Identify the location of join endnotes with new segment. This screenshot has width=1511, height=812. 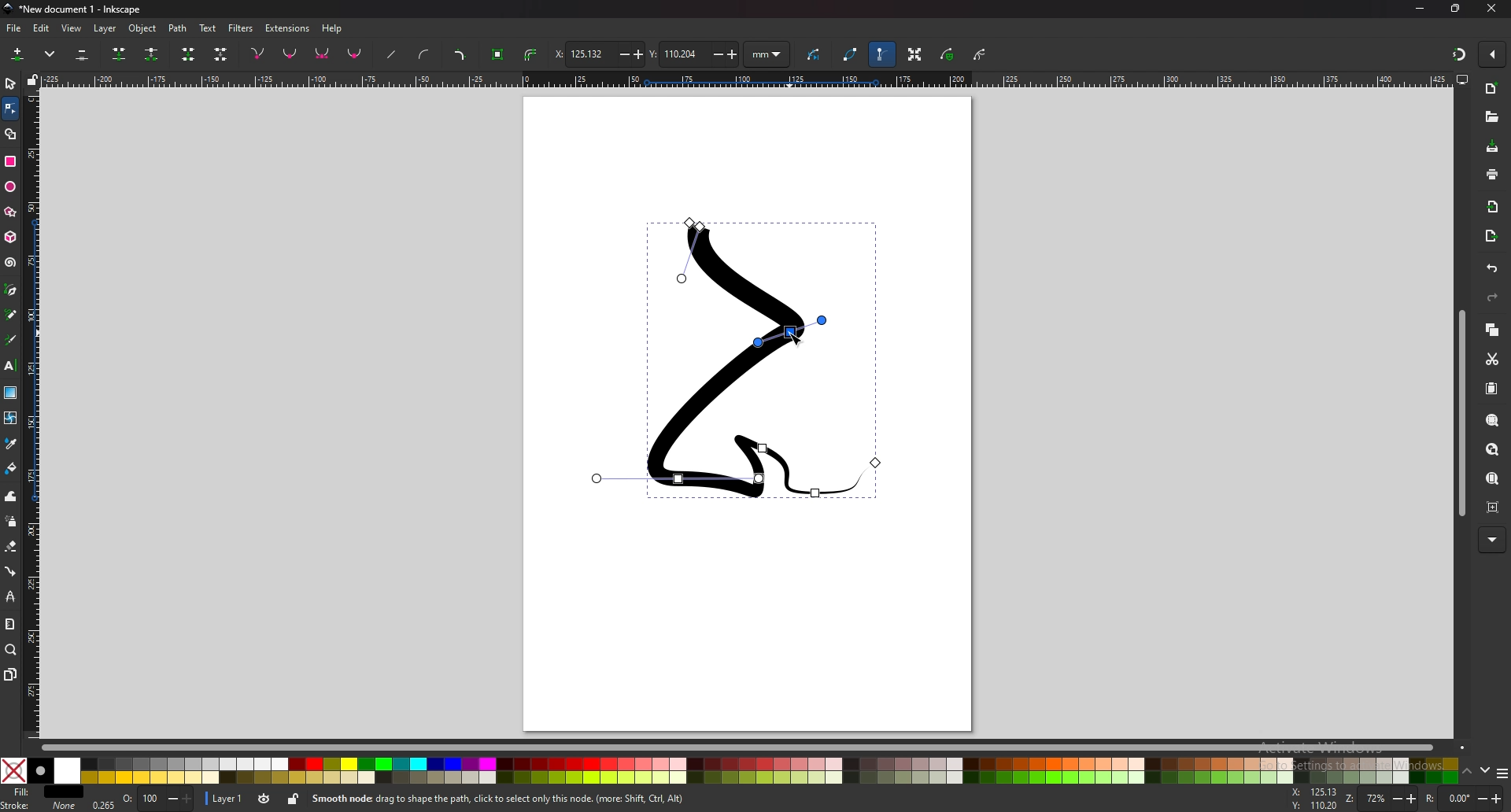
(187, 56).